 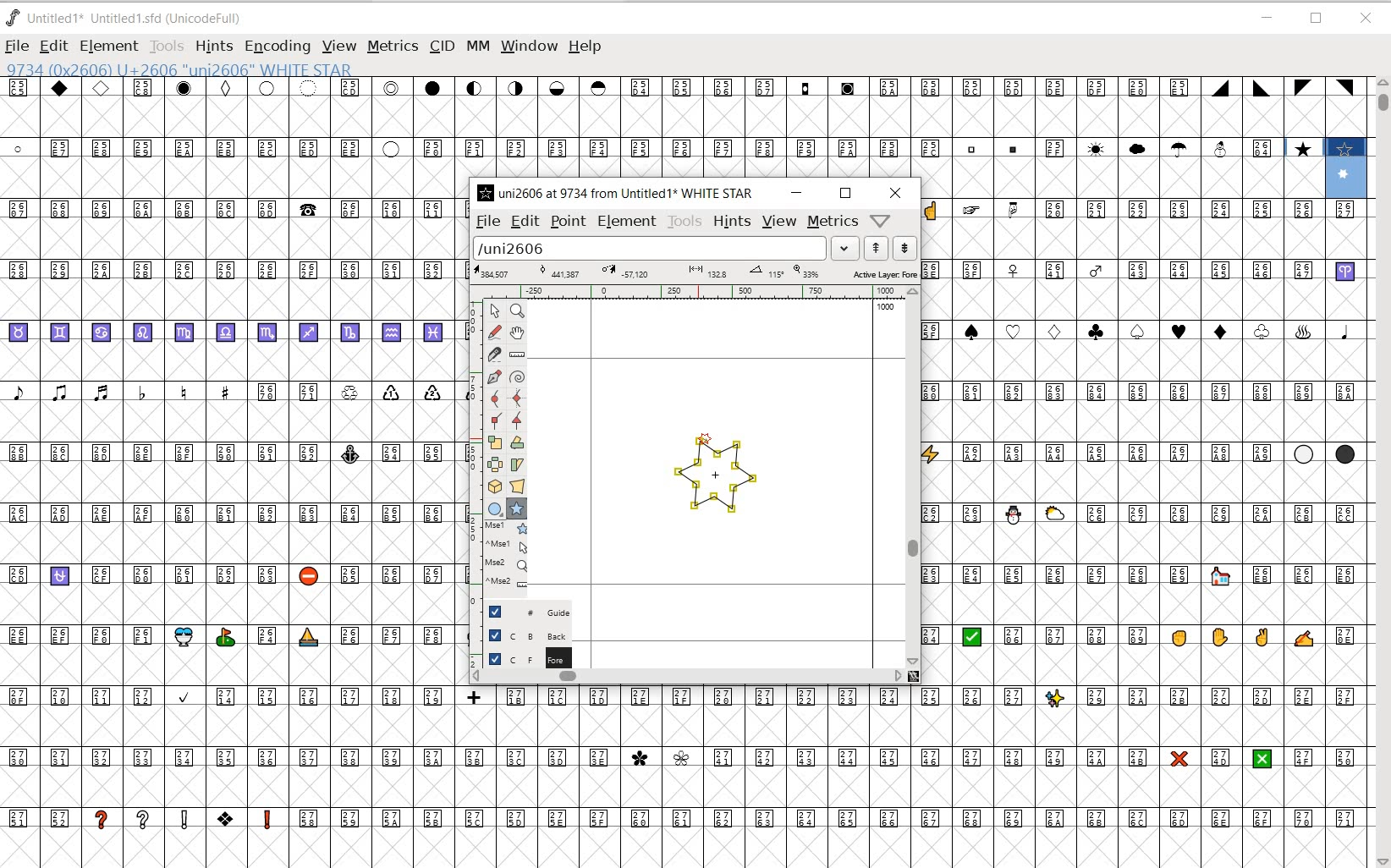 What do you see at coordinates (731, 222) in the screenshot?
I see `HINTS` at bounding box center [731, 222].